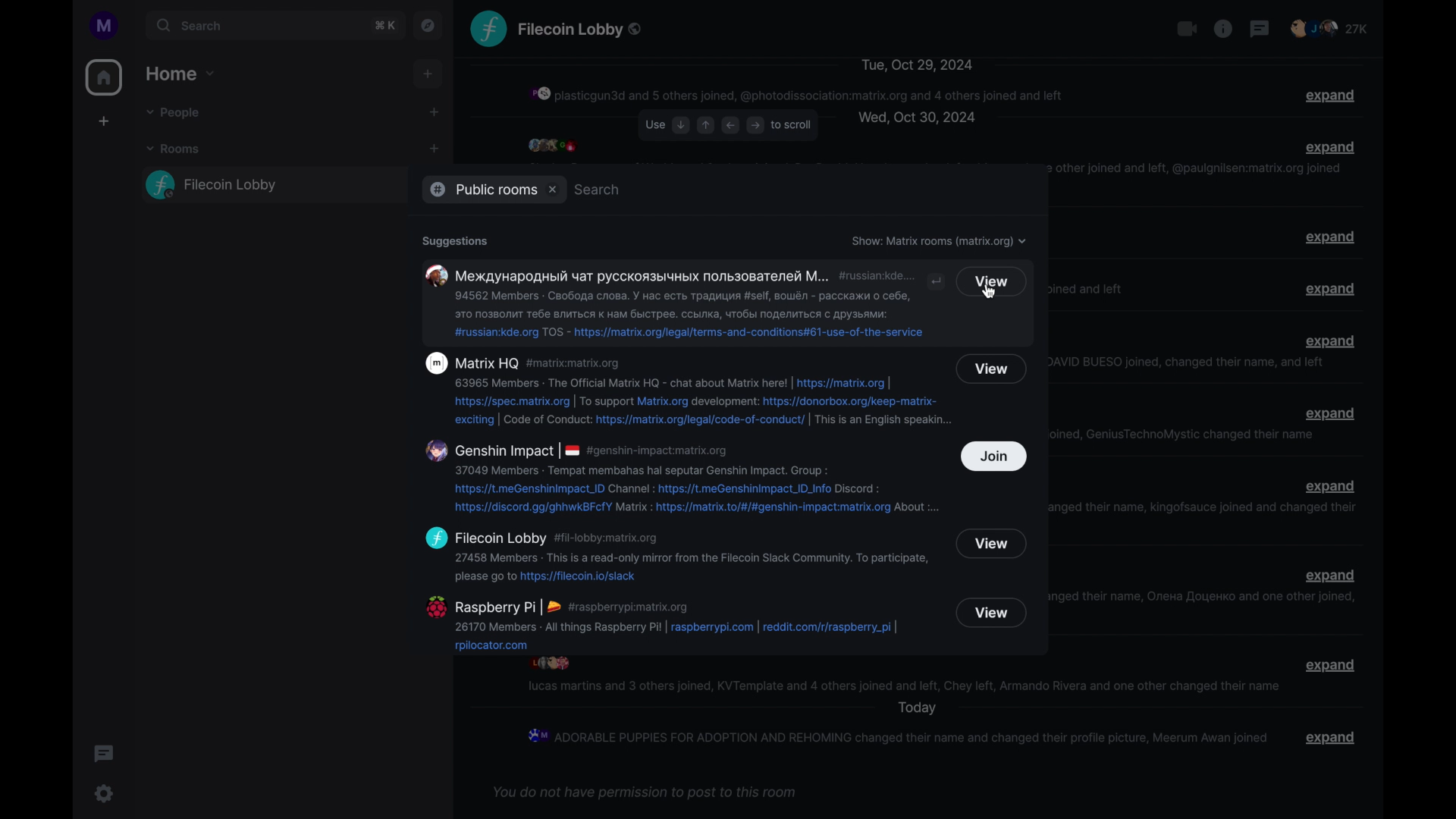 The image size is (1456, 819). What do you see at coordinates (428, 74) in the screenshot?
I see `add` at bounding box center [428, 74].